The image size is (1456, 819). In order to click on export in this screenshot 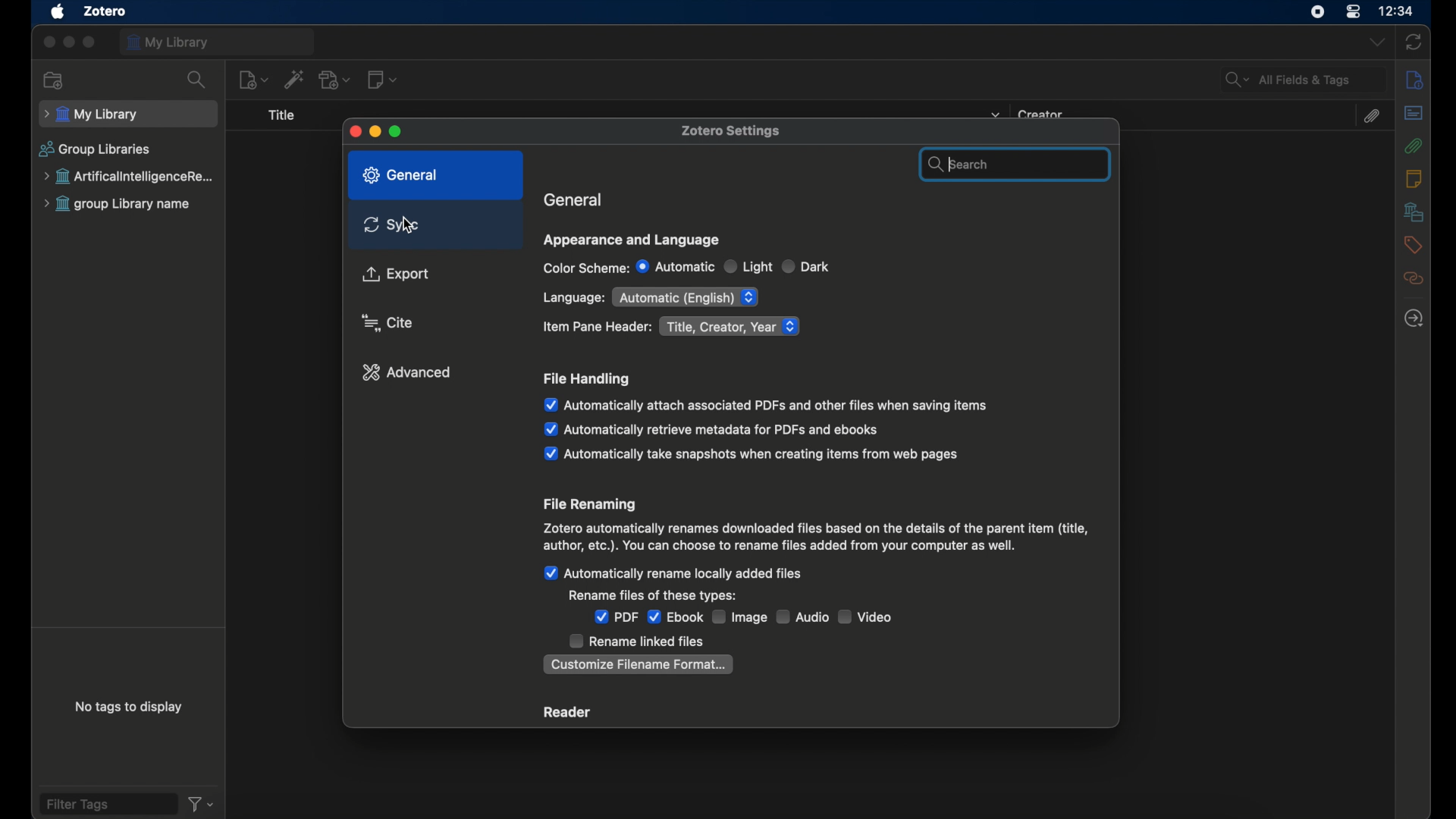, I will do `click(396, 275)`.